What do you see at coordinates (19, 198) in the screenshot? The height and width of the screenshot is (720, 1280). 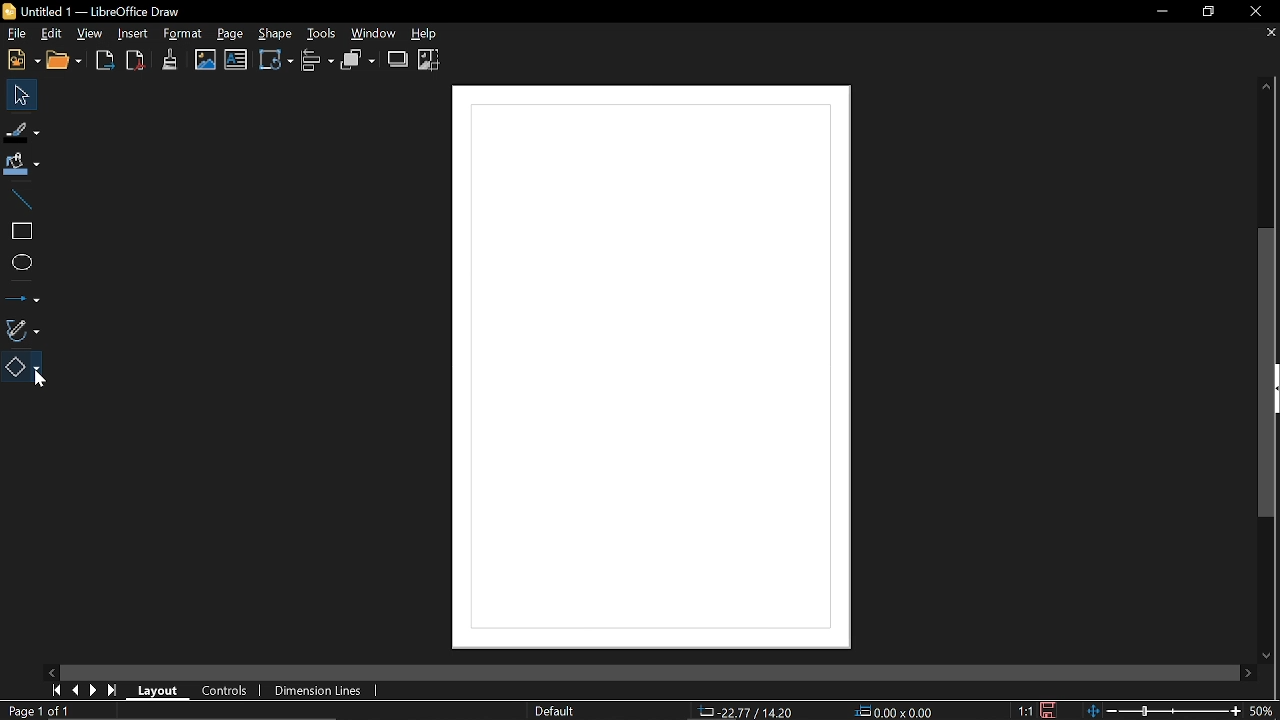 I see `Line` at bounding box center [19, 198].